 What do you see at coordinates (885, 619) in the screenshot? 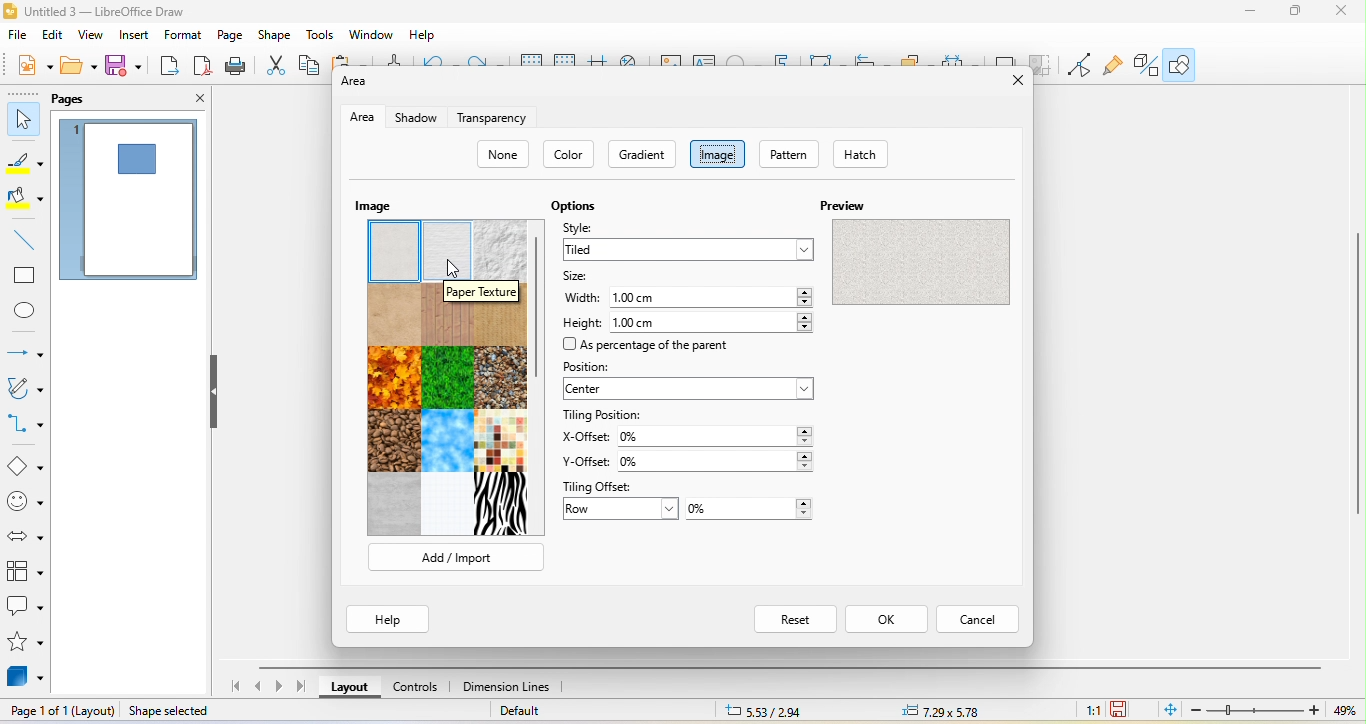
I see `ok` at bounding box center [885, 619].